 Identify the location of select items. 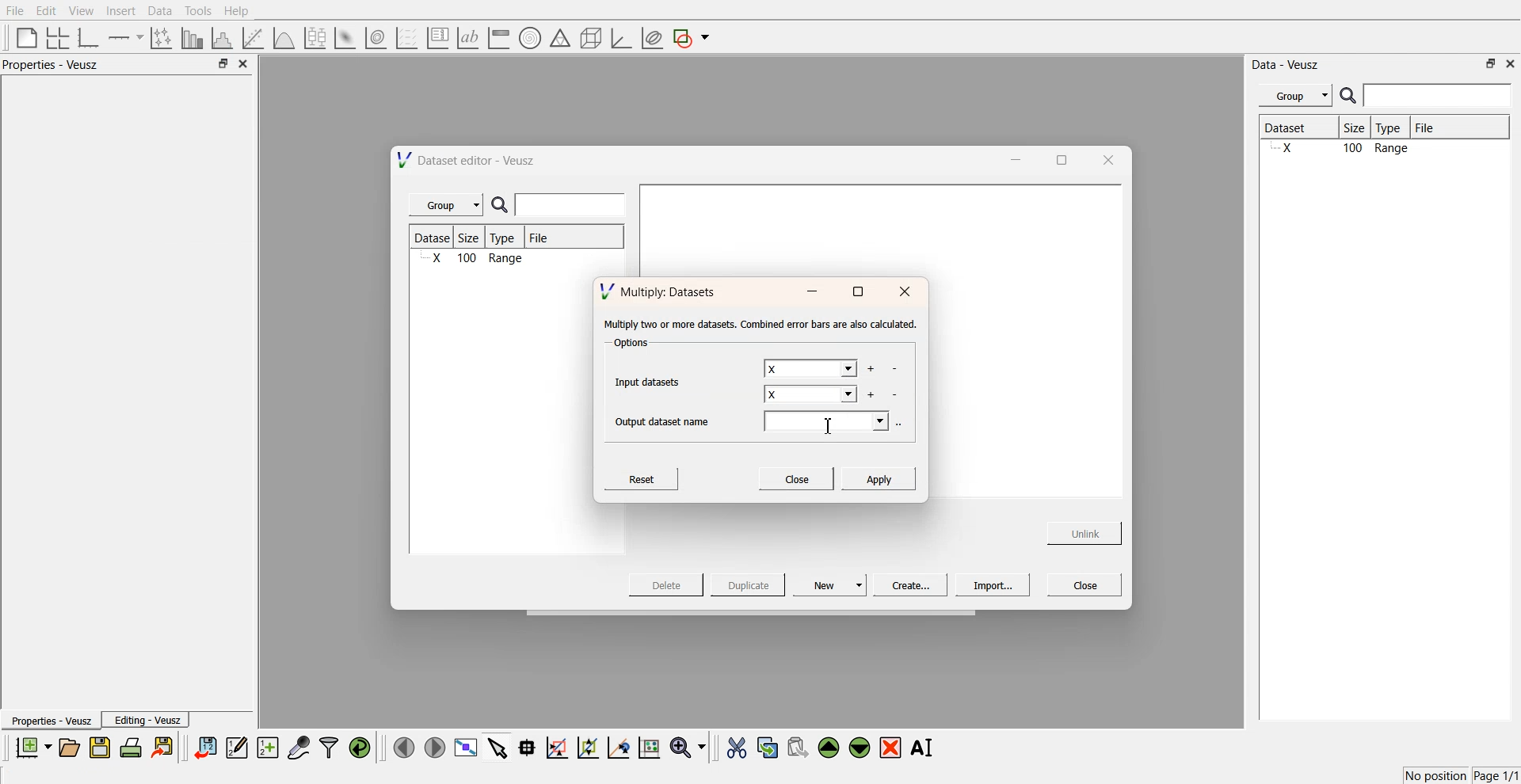
(497, 747).